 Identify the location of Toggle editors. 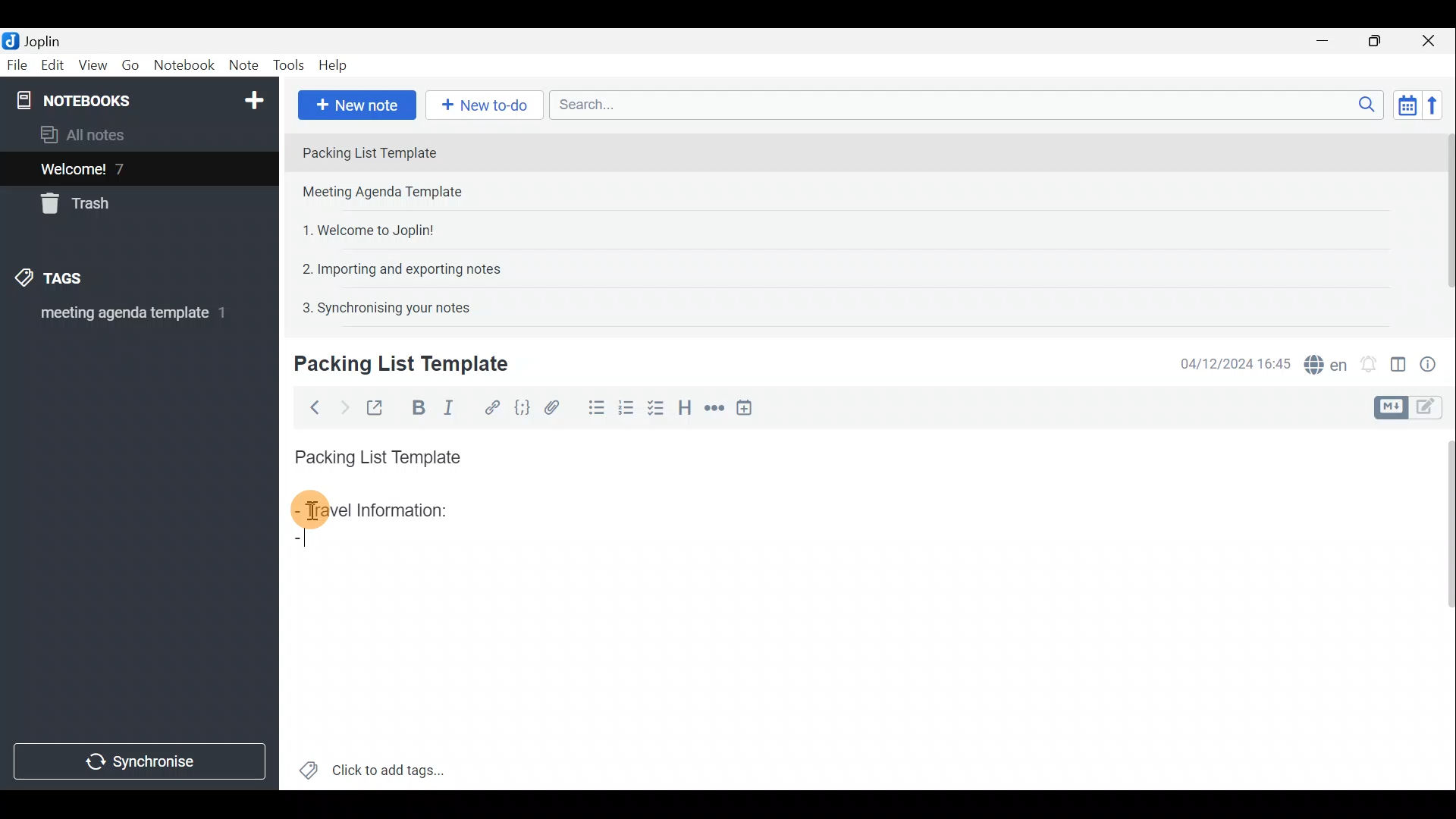
(1433, 409).